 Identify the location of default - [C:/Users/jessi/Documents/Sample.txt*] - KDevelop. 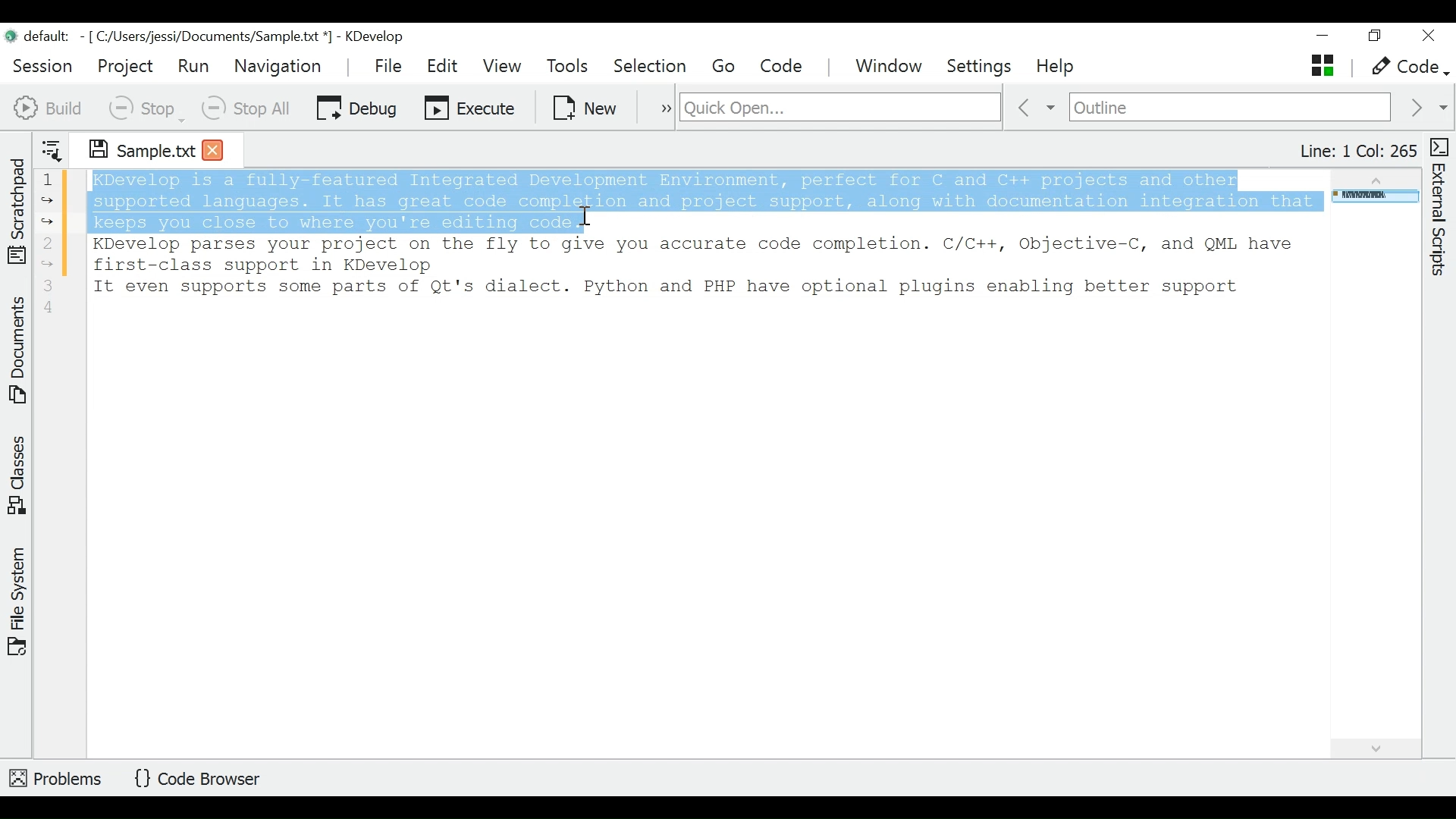
(211, 39).